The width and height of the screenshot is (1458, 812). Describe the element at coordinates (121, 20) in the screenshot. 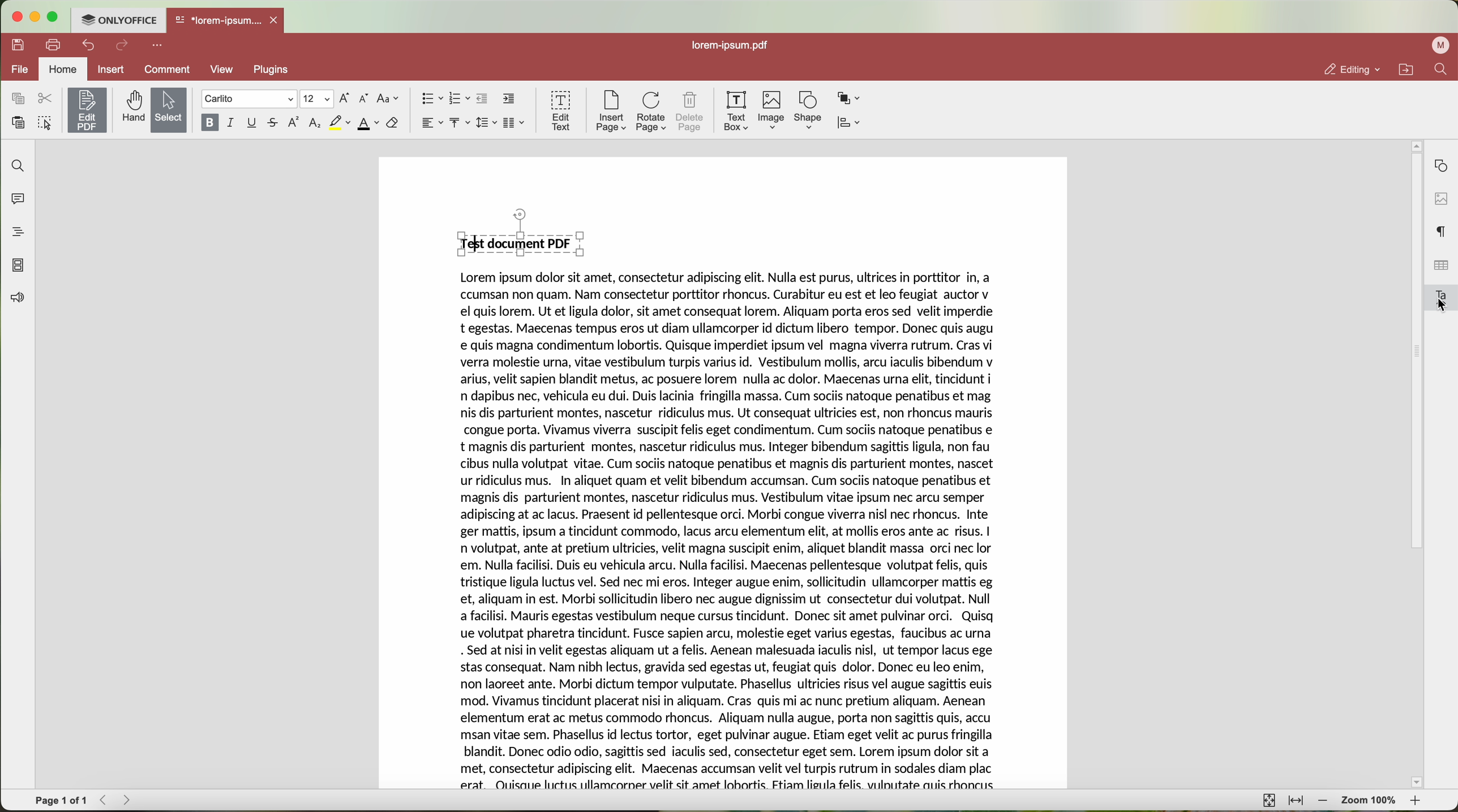

I see `ONLYOFFICE` at that location.